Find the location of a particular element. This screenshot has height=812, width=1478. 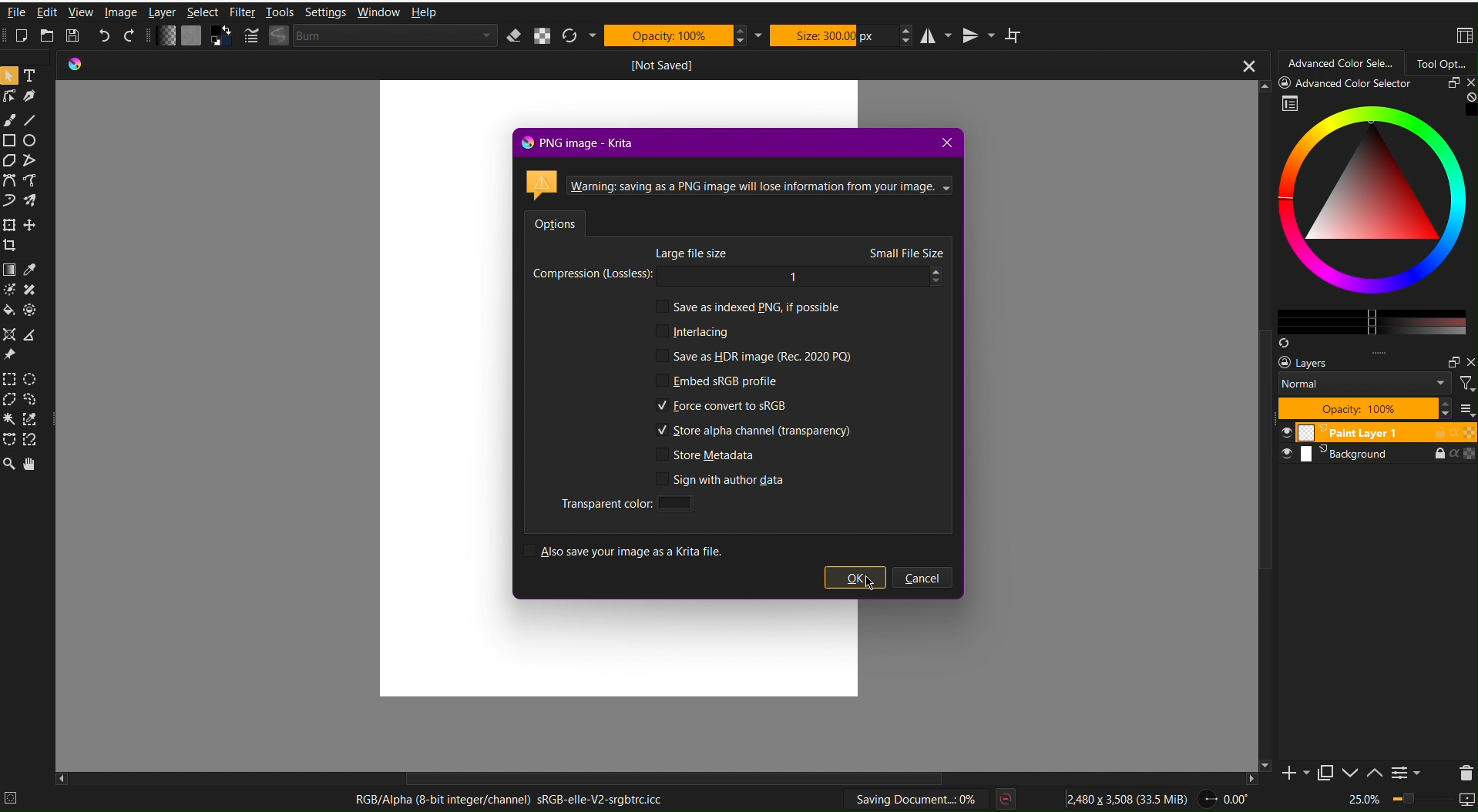

Brush Settings is located at coordinates (368, 37).